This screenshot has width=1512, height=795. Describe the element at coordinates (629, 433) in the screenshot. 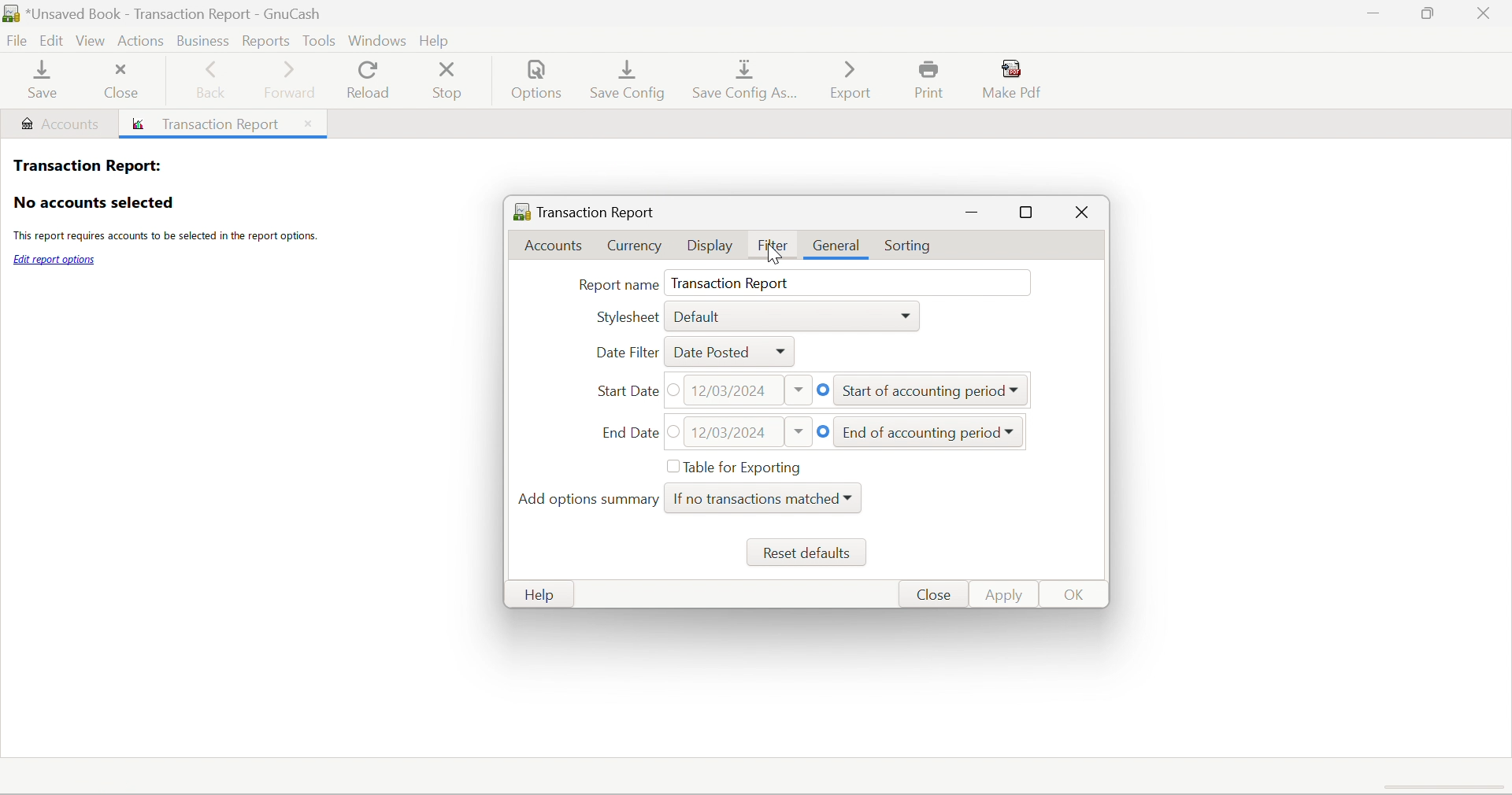

I see `End Date` at that location.